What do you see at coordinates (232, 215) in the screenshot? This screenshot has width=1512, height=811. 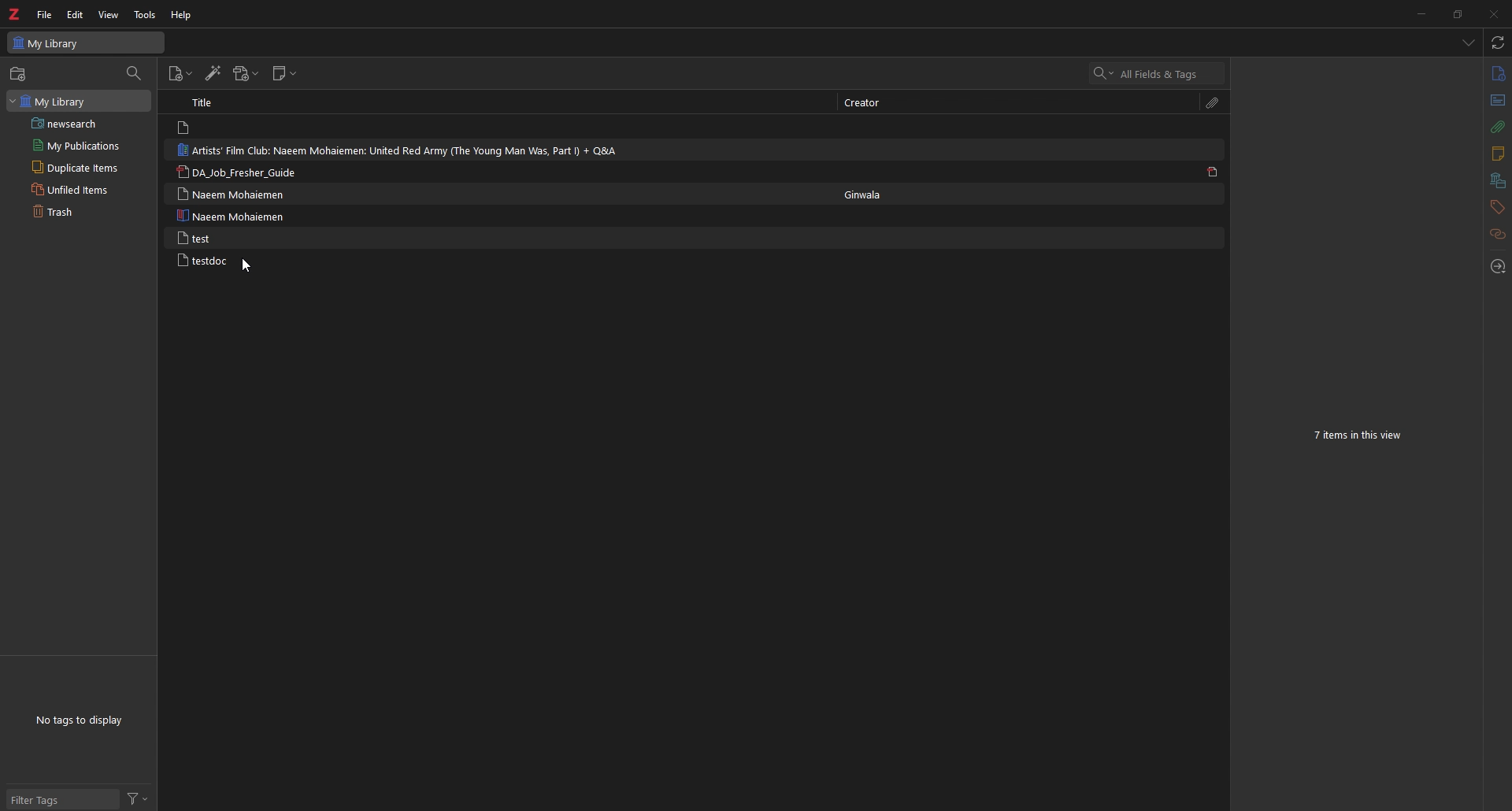 I see `Naeem Mohaiemen` at bounding box center [232, 215].